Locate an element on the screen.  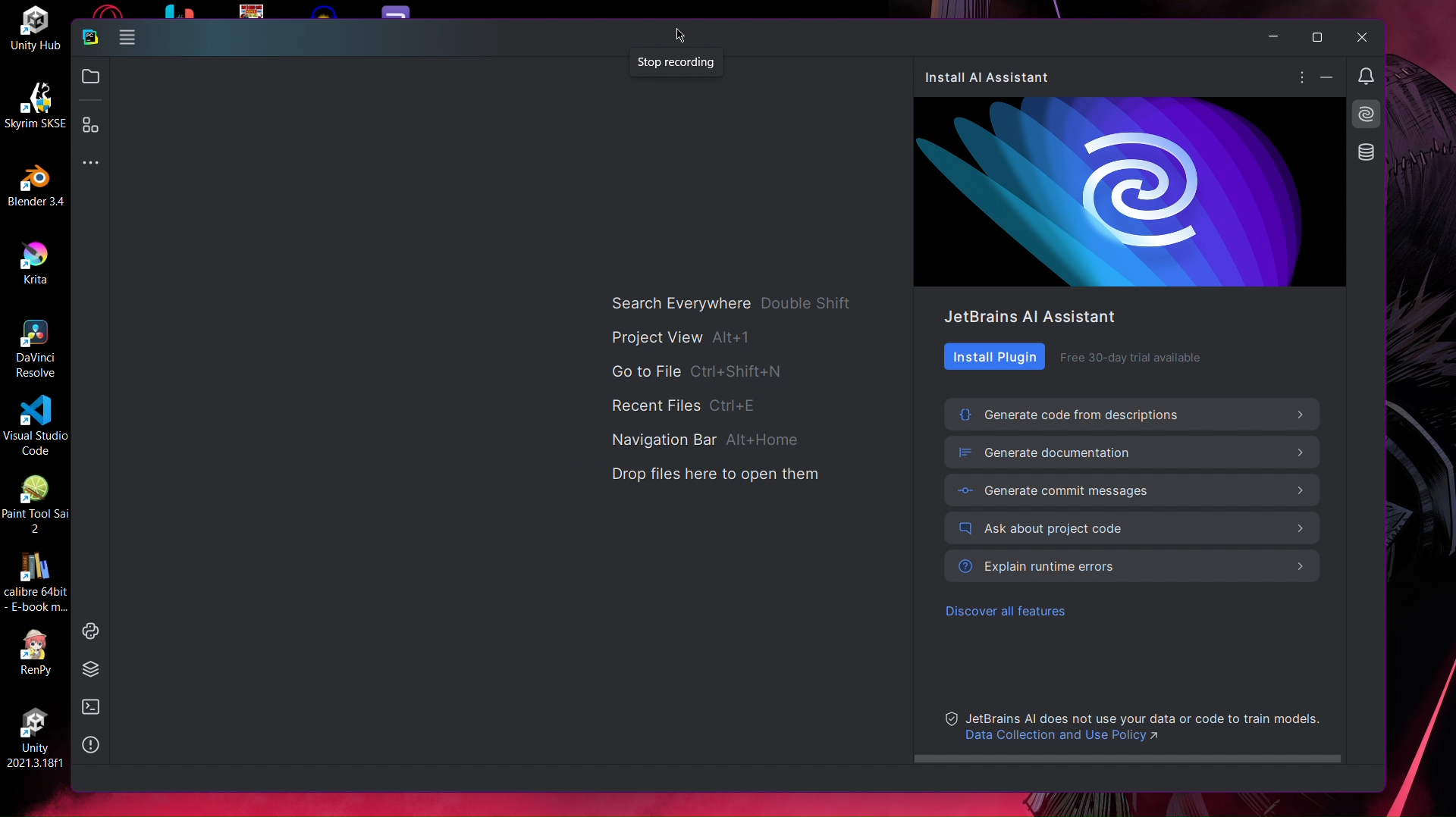
Go to File is located at coordinates (701, 370).